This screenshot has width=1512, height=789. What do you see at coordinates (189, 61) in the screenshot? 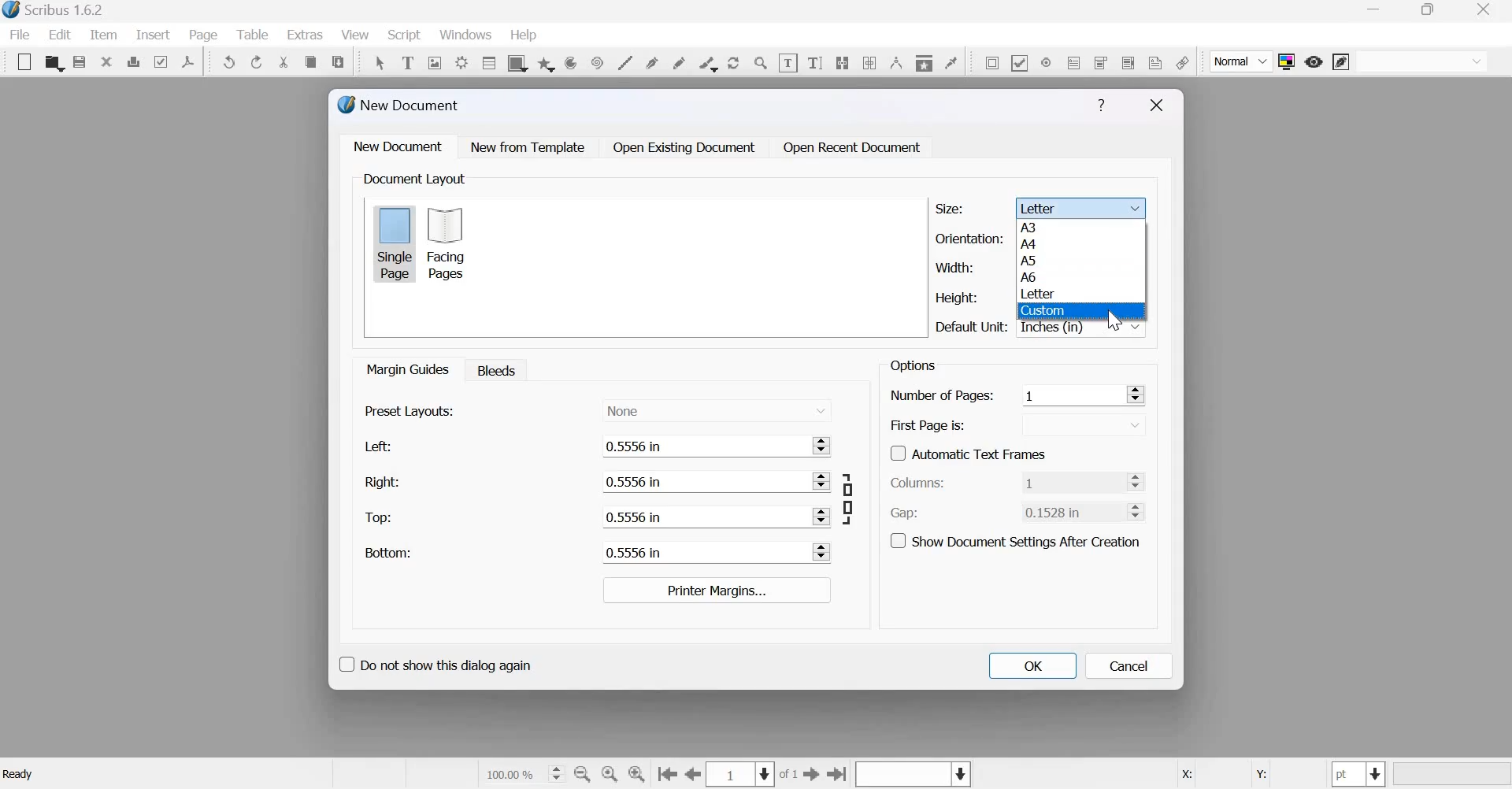
I see `Save as PDF` at bounding box center [189, 61].